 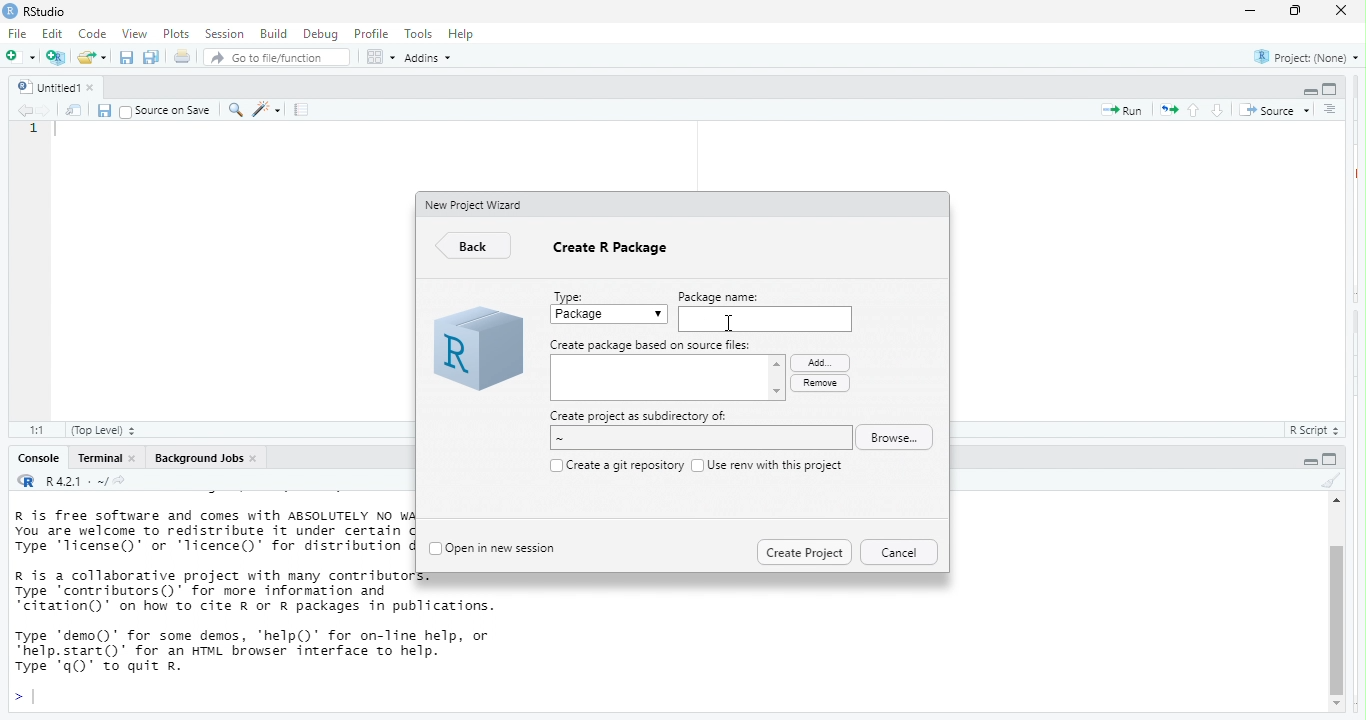 What do you see at coordinates (105, 110) in the screenshot?
I see `save current document` at bounding box center [105, 110].